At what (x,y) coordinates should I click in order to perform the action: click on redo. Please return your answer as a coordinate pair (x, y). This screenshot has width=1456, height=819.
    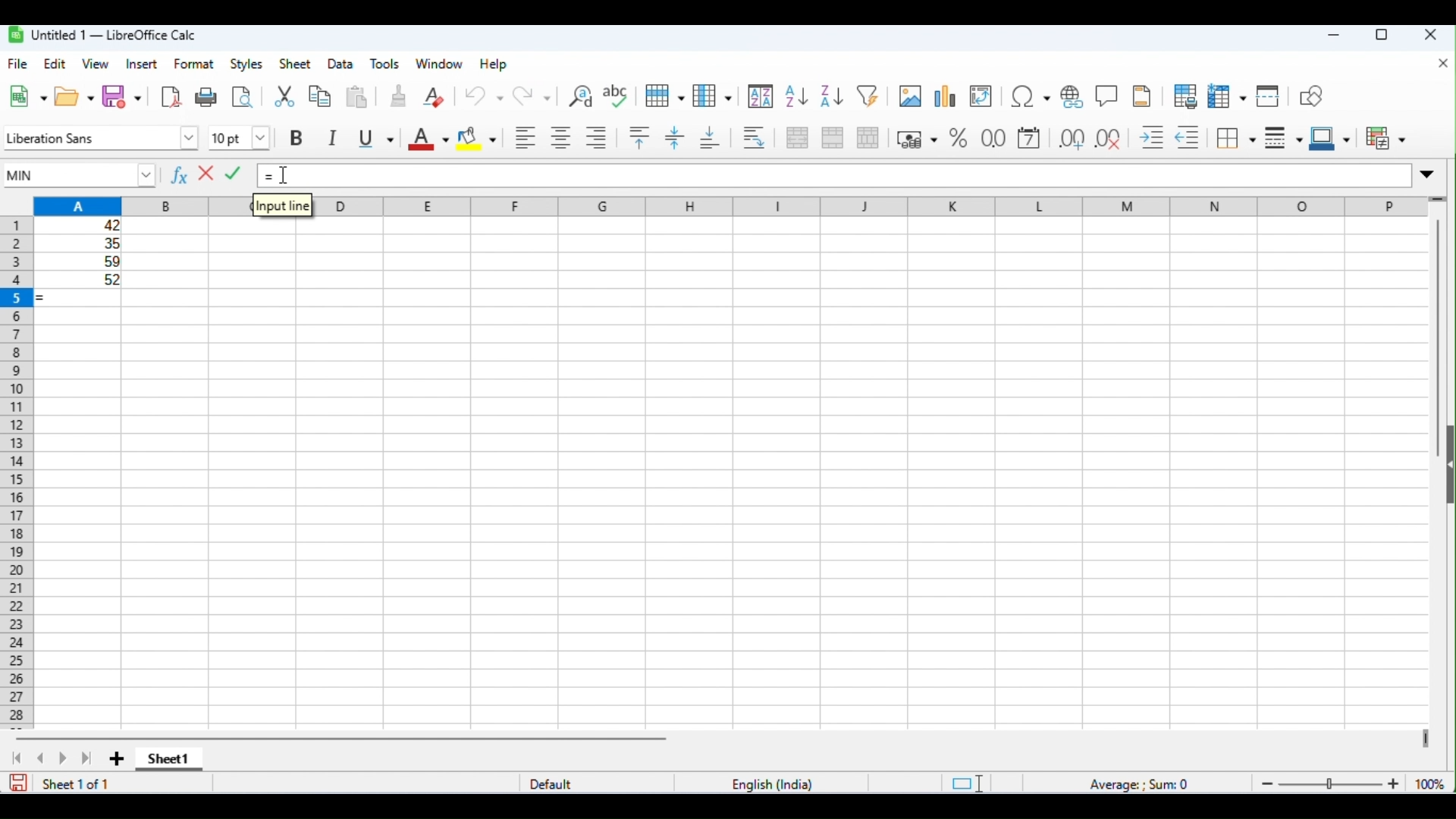
    Looking at the image, I should click on (532, 96).